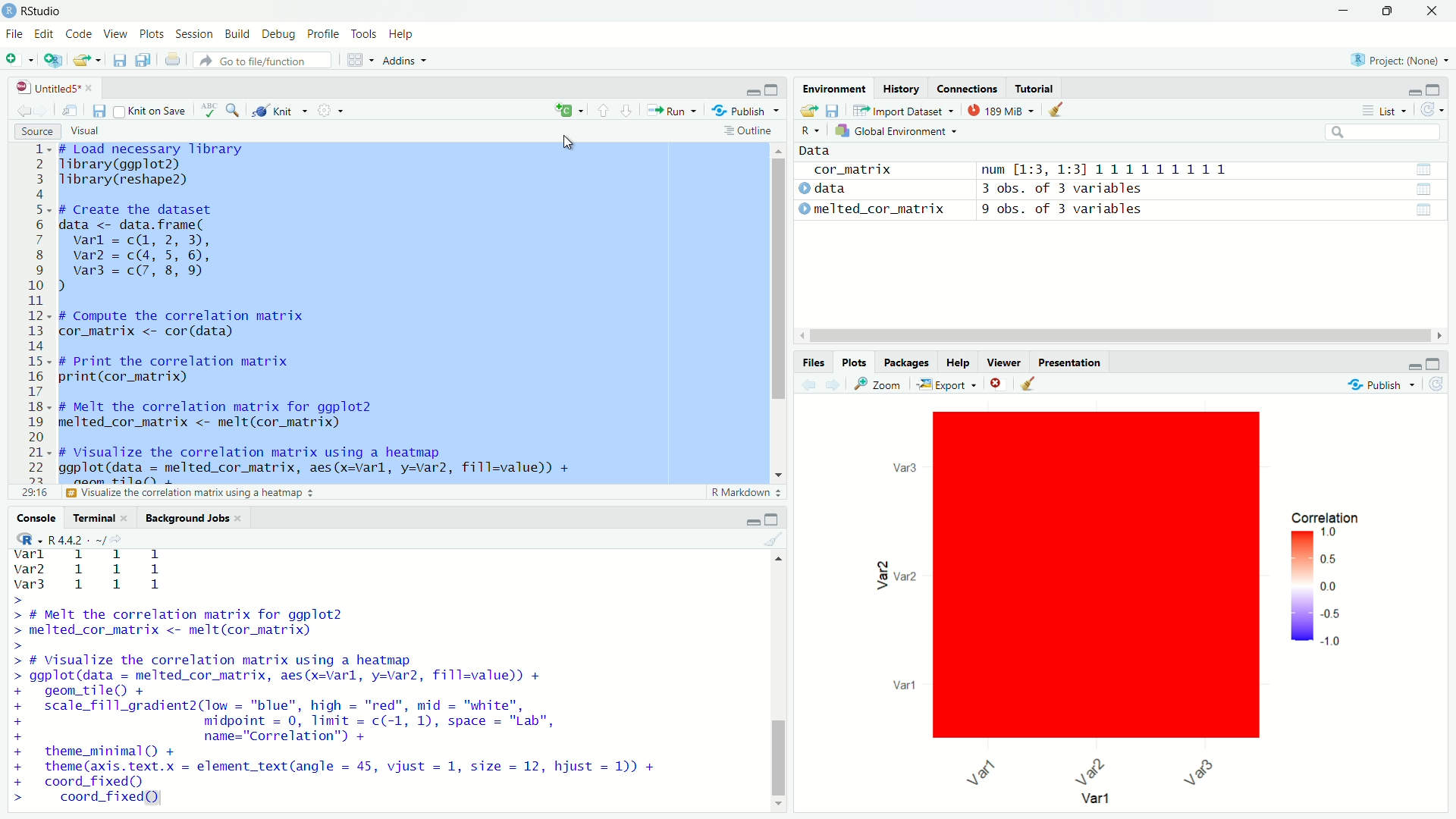 The image size is (1456, 819). I want to click on refresh, so click(1439, 383).